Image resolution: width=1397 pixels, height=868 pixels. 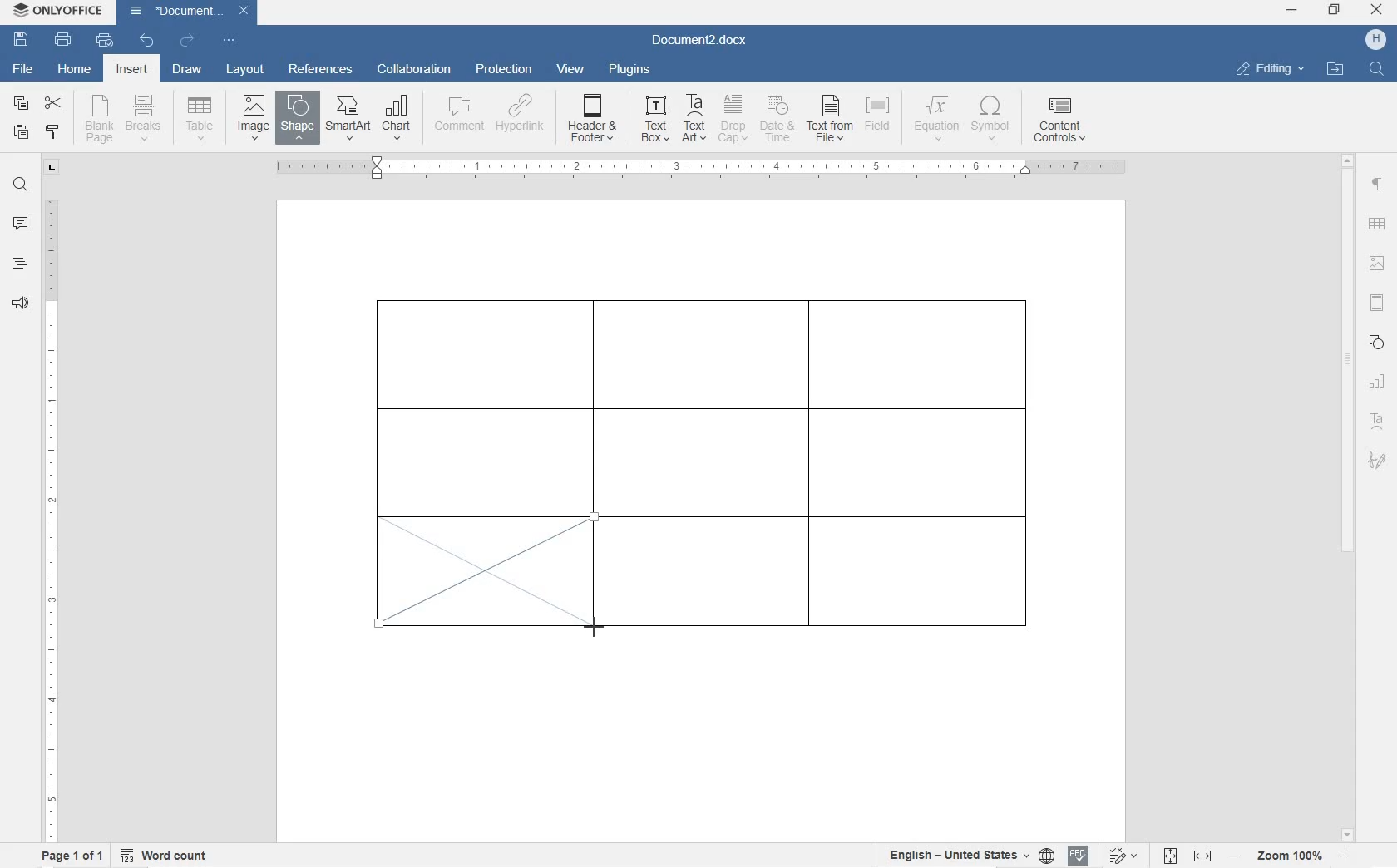 What do you see at coordinates (1348, 496) in the screenshot?
I see `scrollbar` at bounding box center [1348, 496].